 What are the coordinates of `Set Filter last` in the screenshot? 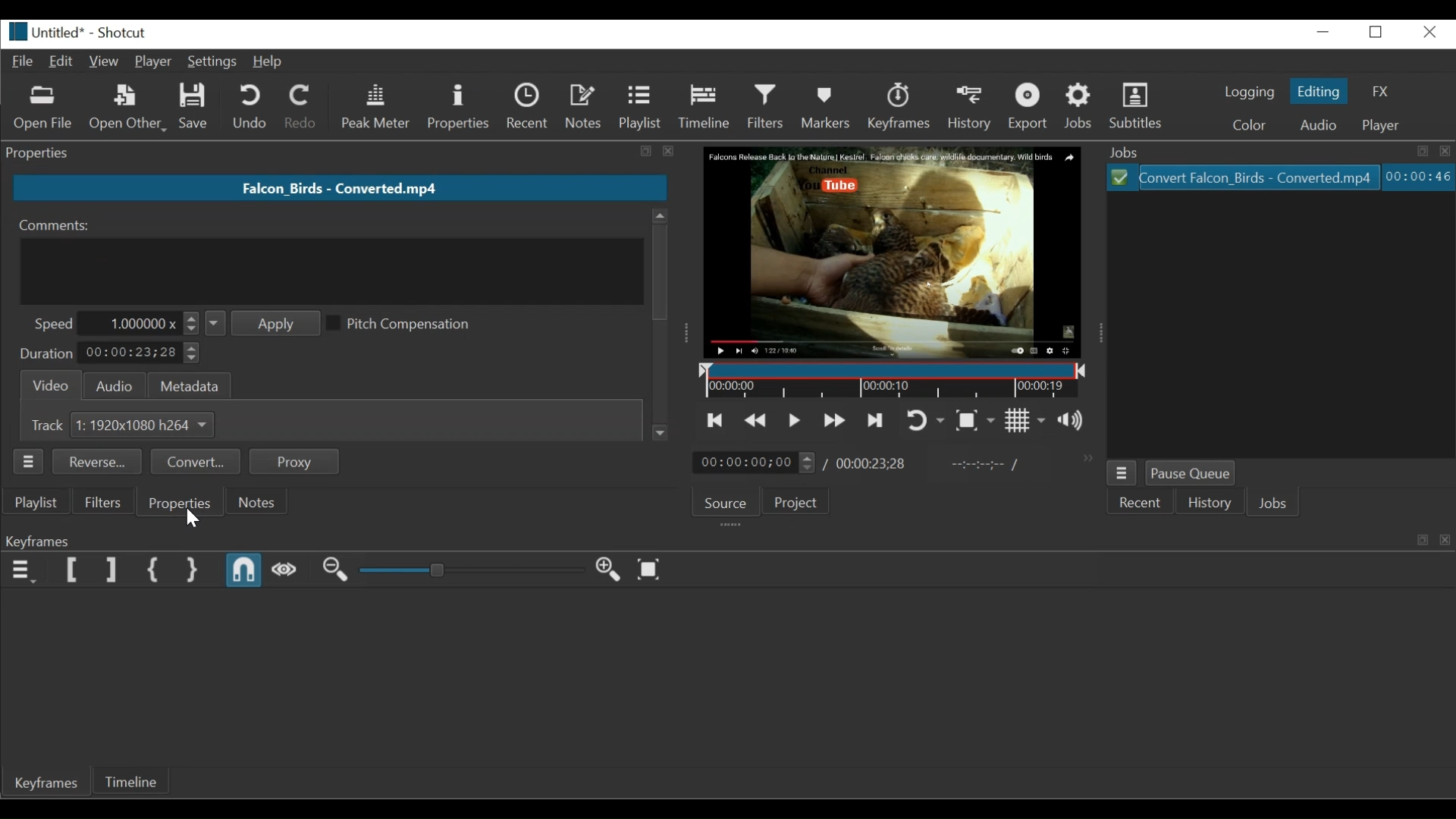 It's located at (112, 572).